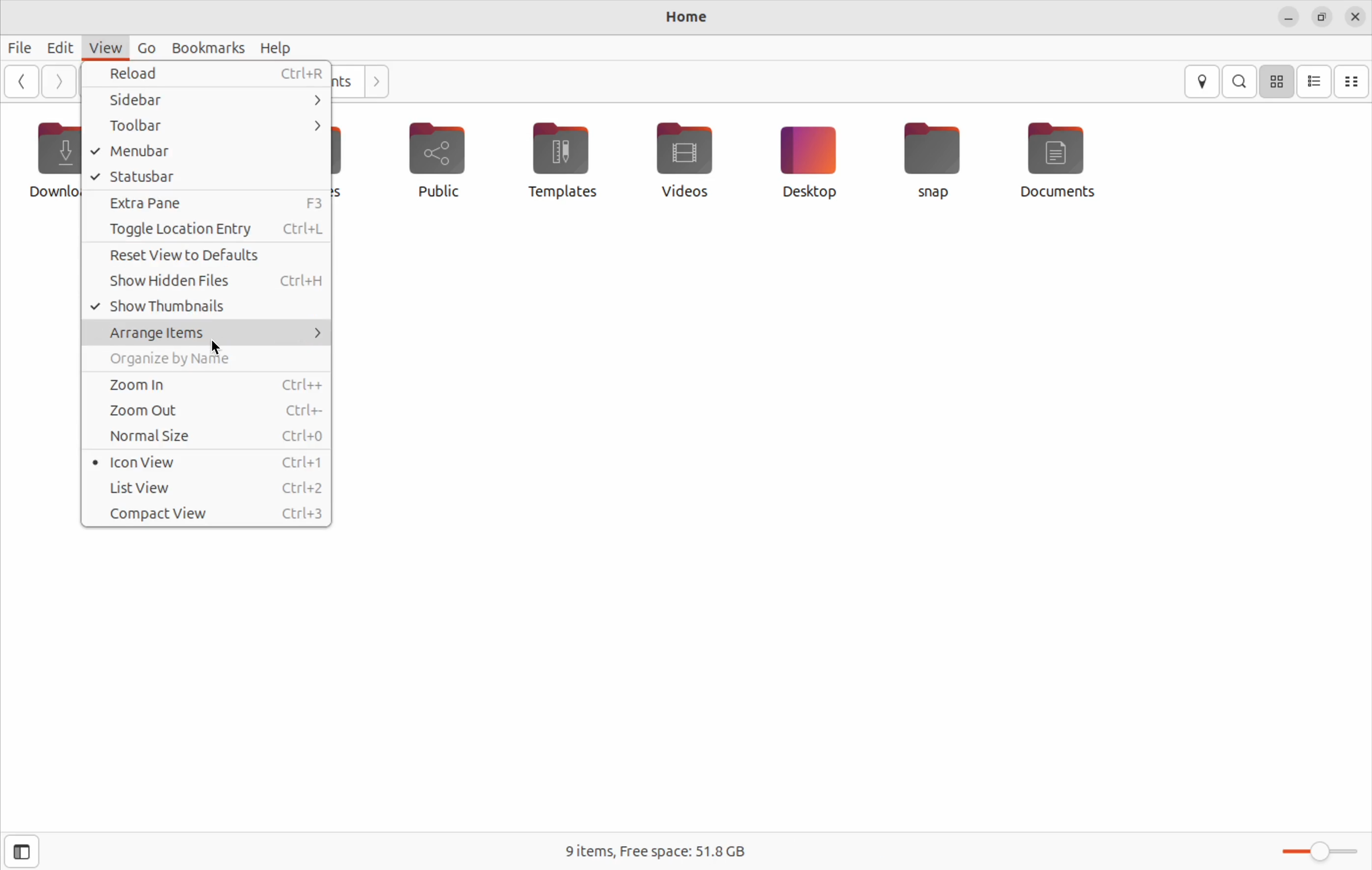  I want to click on show hidden files, so click(207, 285).